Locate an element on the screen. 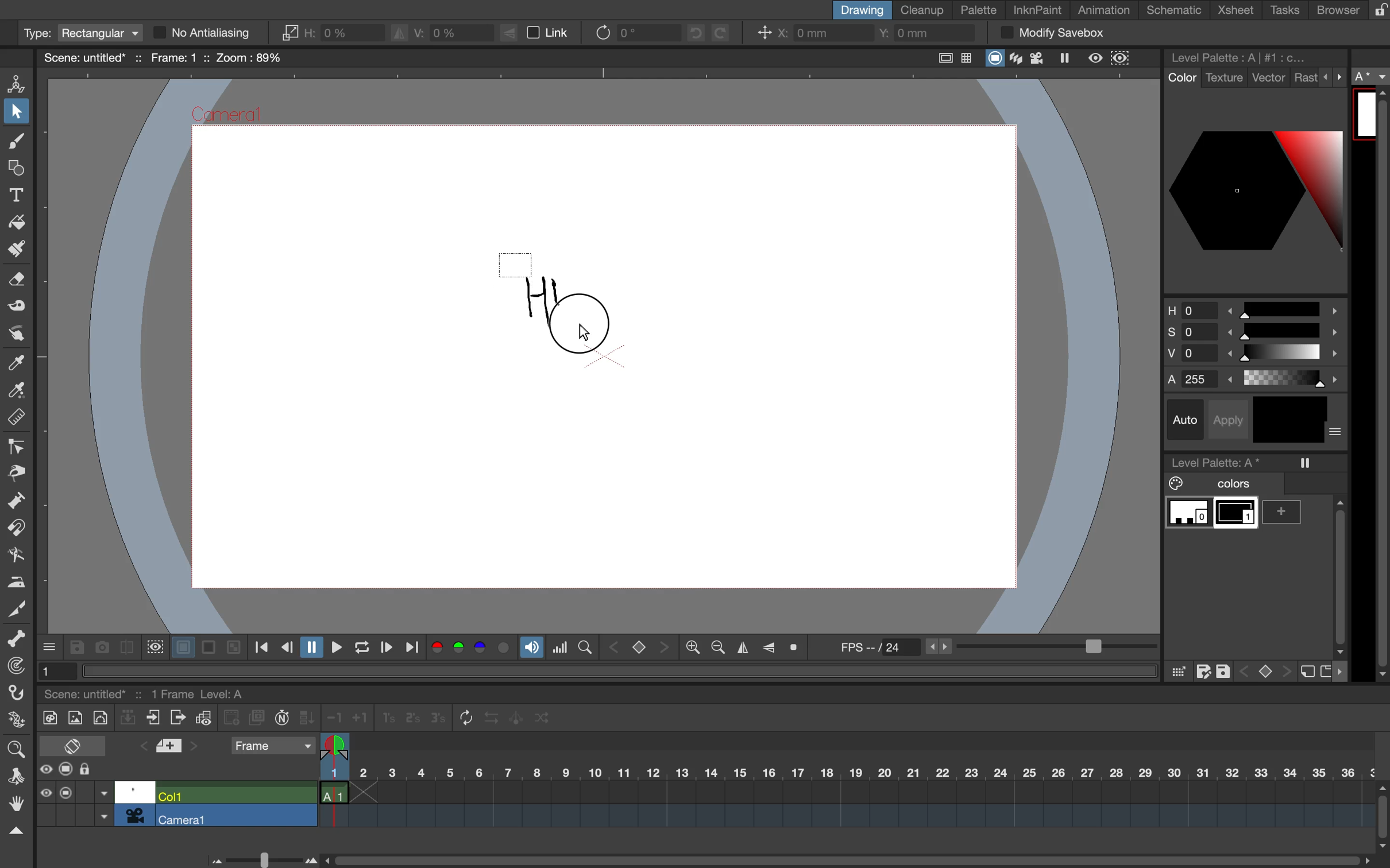 This screenshot has height=868, width=1390. reframe 1s, 2s and 3s is located at coordinates (405, 719).